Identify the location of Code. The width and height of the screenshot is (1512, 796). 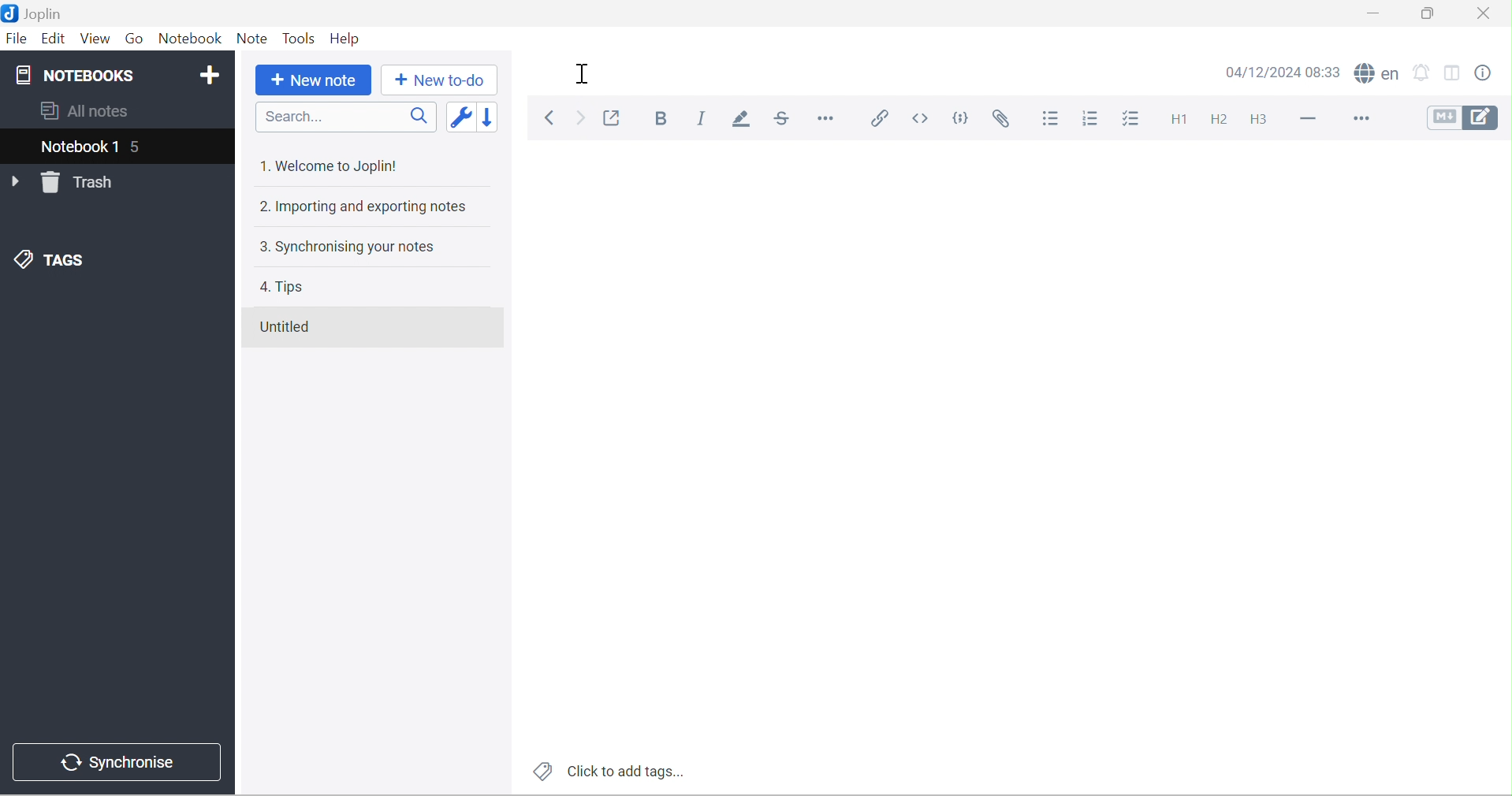
(961, 117).